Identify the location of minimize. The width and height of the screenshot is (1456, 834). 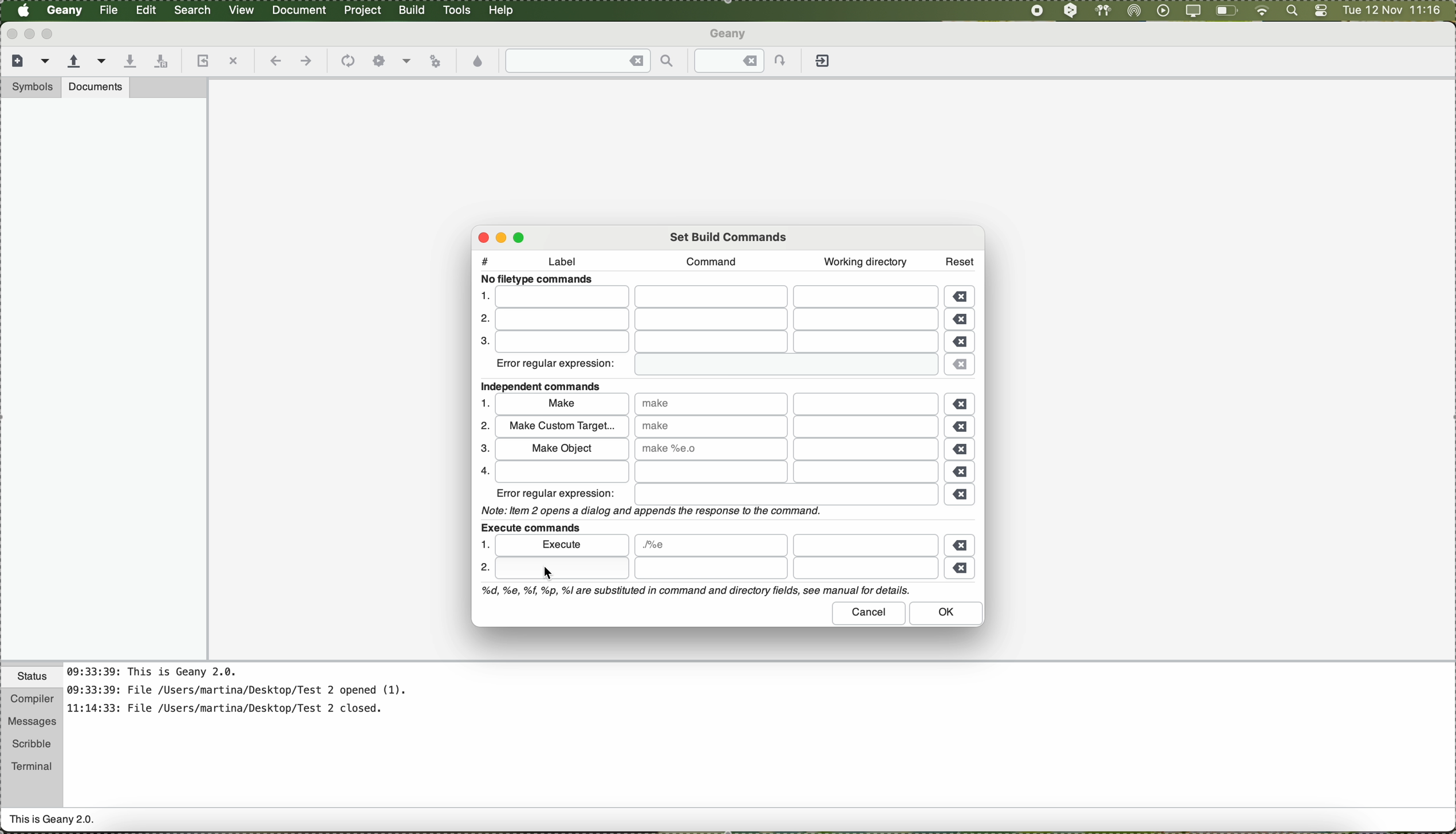
(505, 237).